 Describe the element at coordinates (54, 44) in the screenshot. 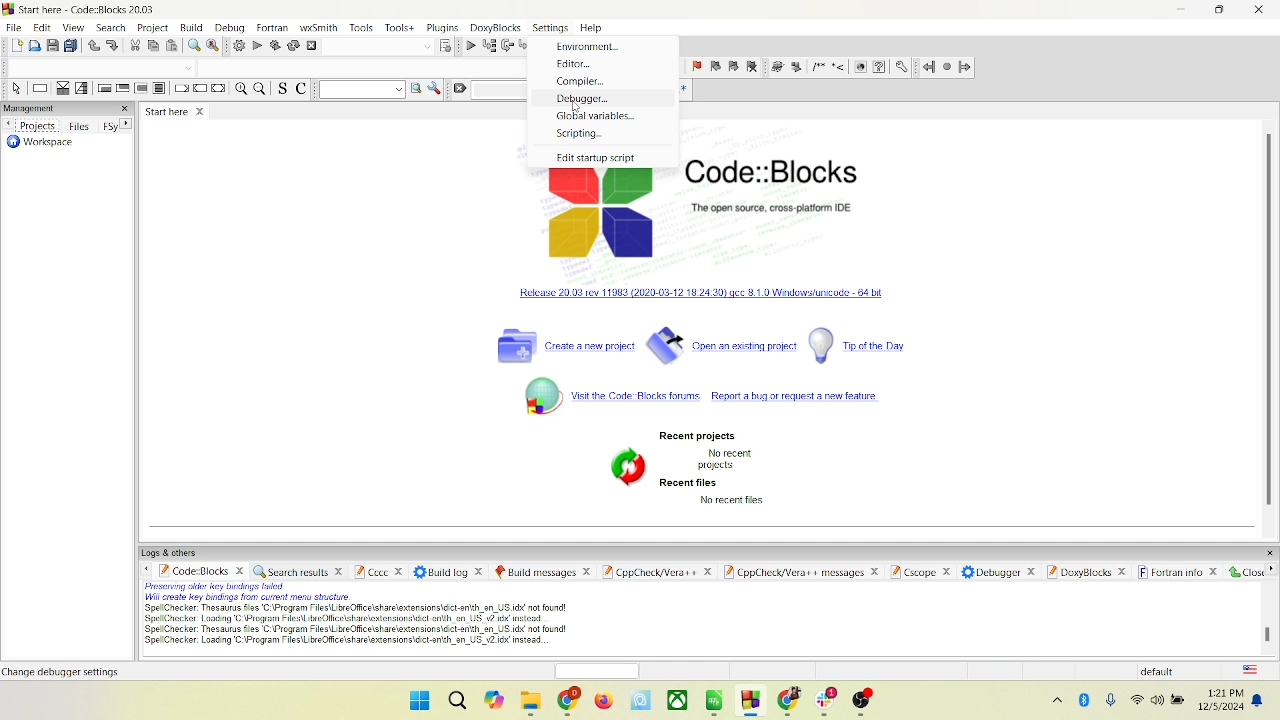

I see `save` at that location.